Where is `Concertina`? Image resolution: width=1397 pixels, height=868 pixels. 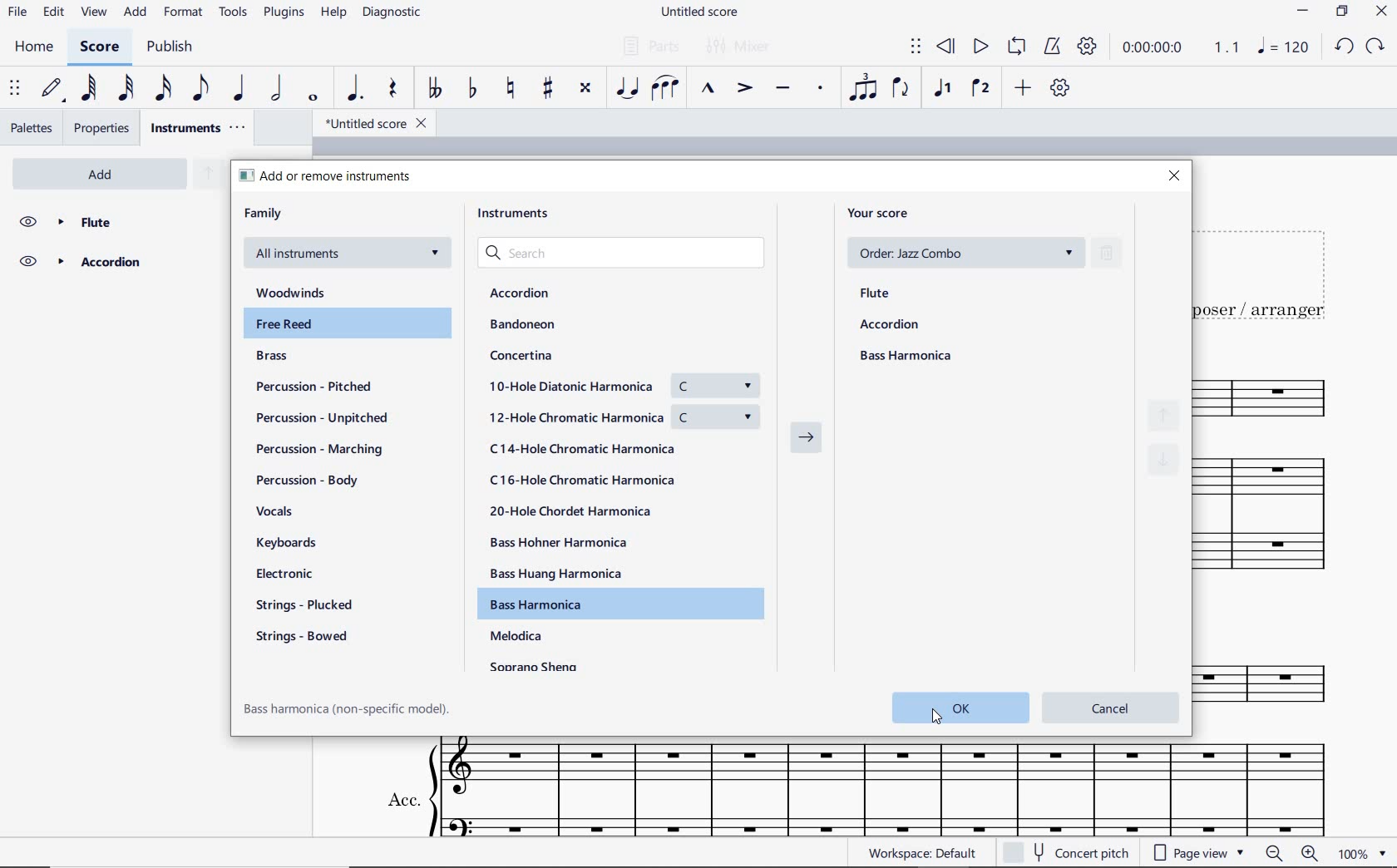
Concertina is located at coordinates (522, 357).